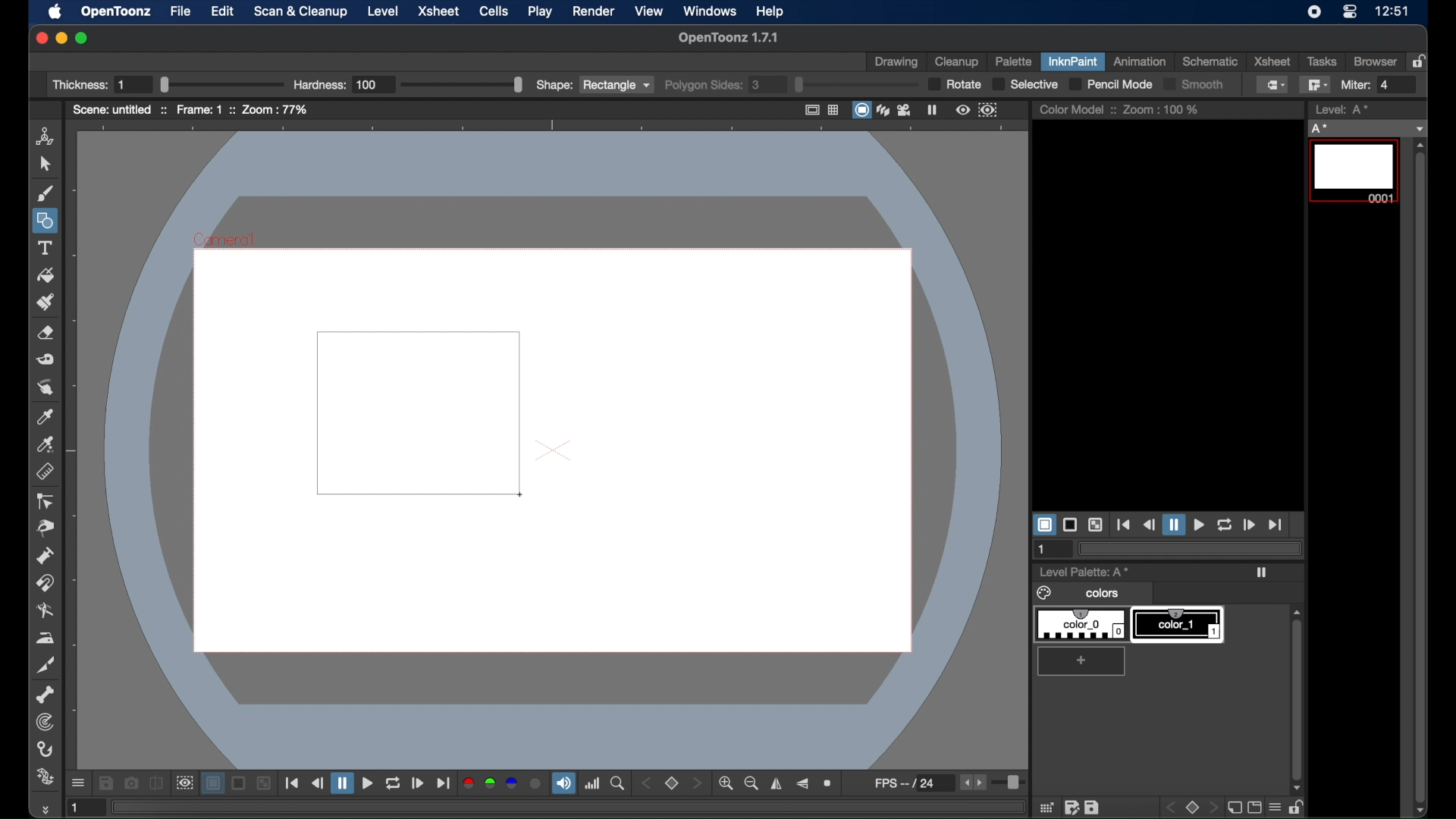 The width and height of the screenshot is (1456, 819). What do you see at coordinates (1210, 62) in the screenshot?
I see `schematic` at bounding box center [1210, 62].